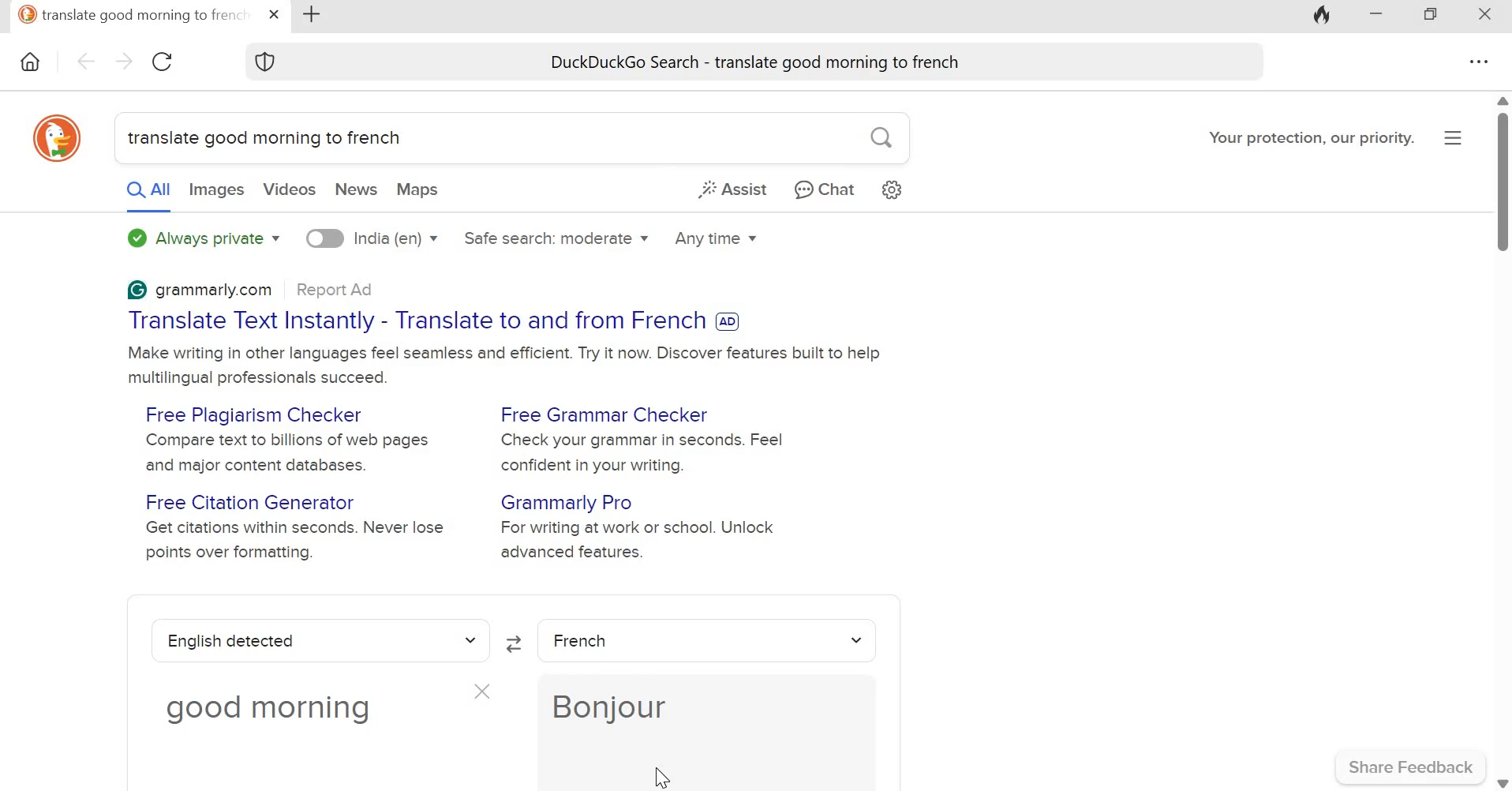 This screenshot has height=791, width=1512. What do you see at coordinates (316, 16) in the screenshot?
I see `New tab` at bounding box center [316, 16].